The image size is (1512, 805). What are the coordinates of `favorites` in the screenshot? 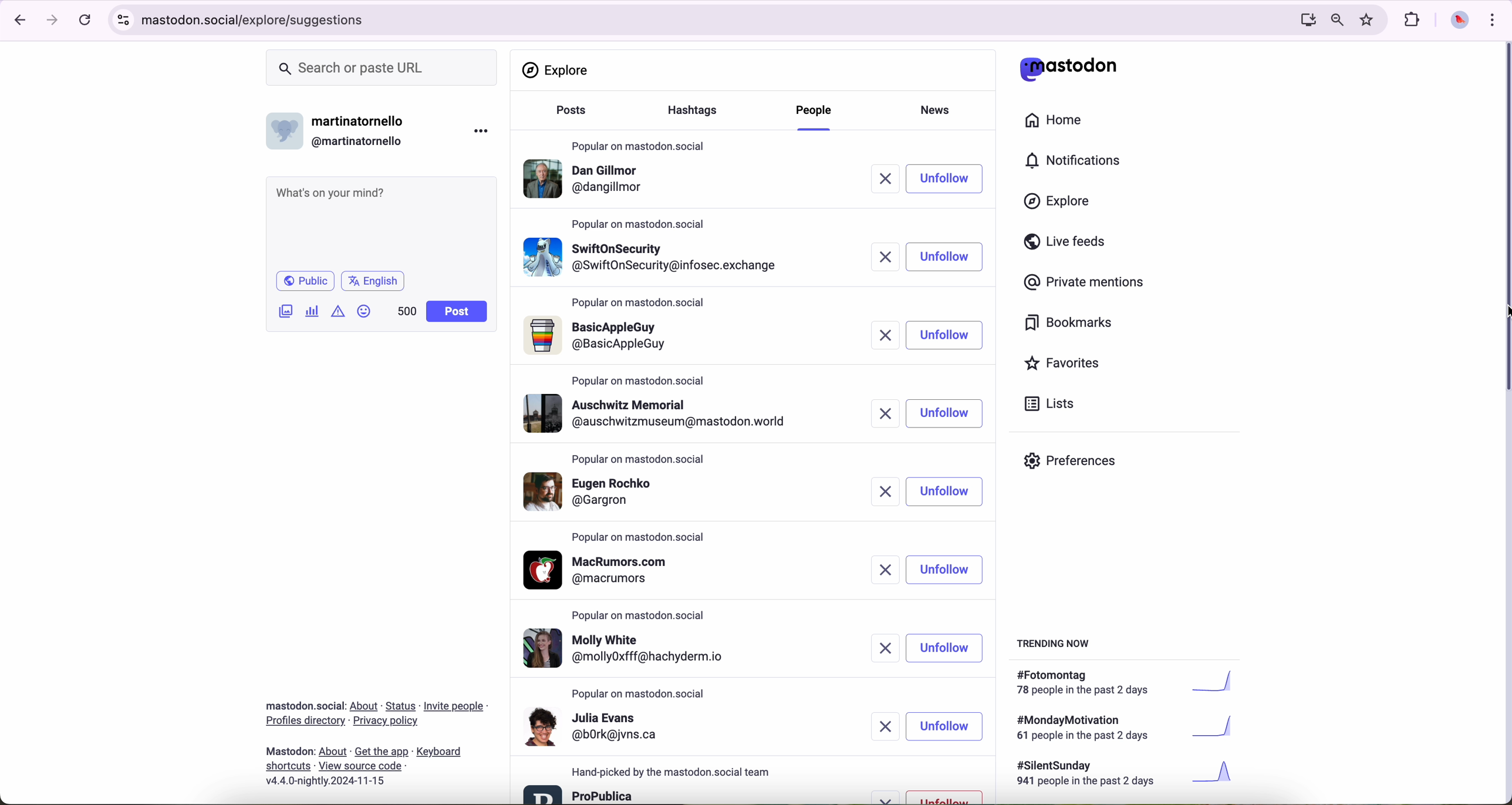 It's located at (1369, 20).